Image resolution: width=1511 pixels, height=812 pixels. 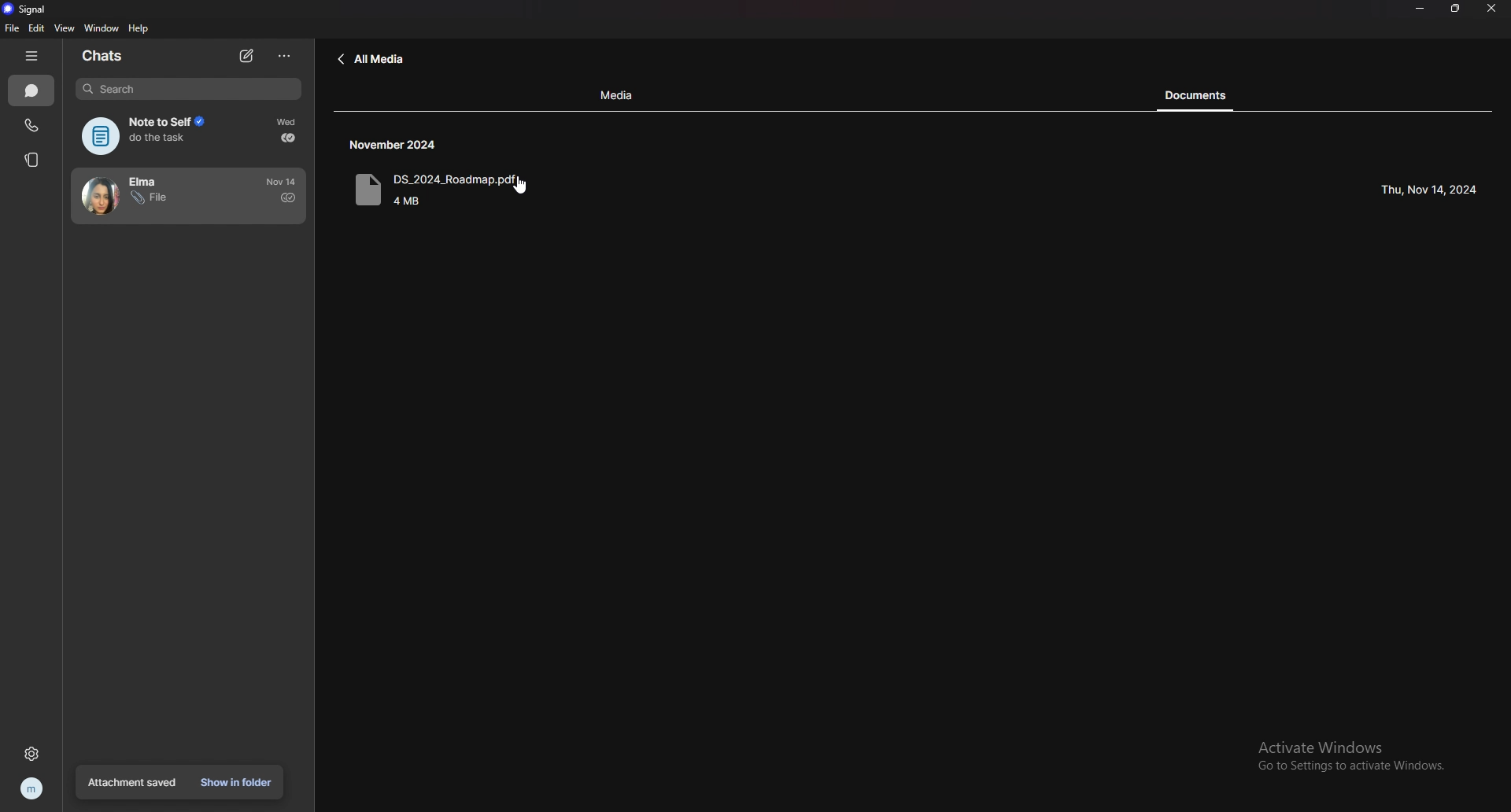 What do you see at coordinates (371, 60) in the screenshot?
I see `back` at bounding box center [371, 60].